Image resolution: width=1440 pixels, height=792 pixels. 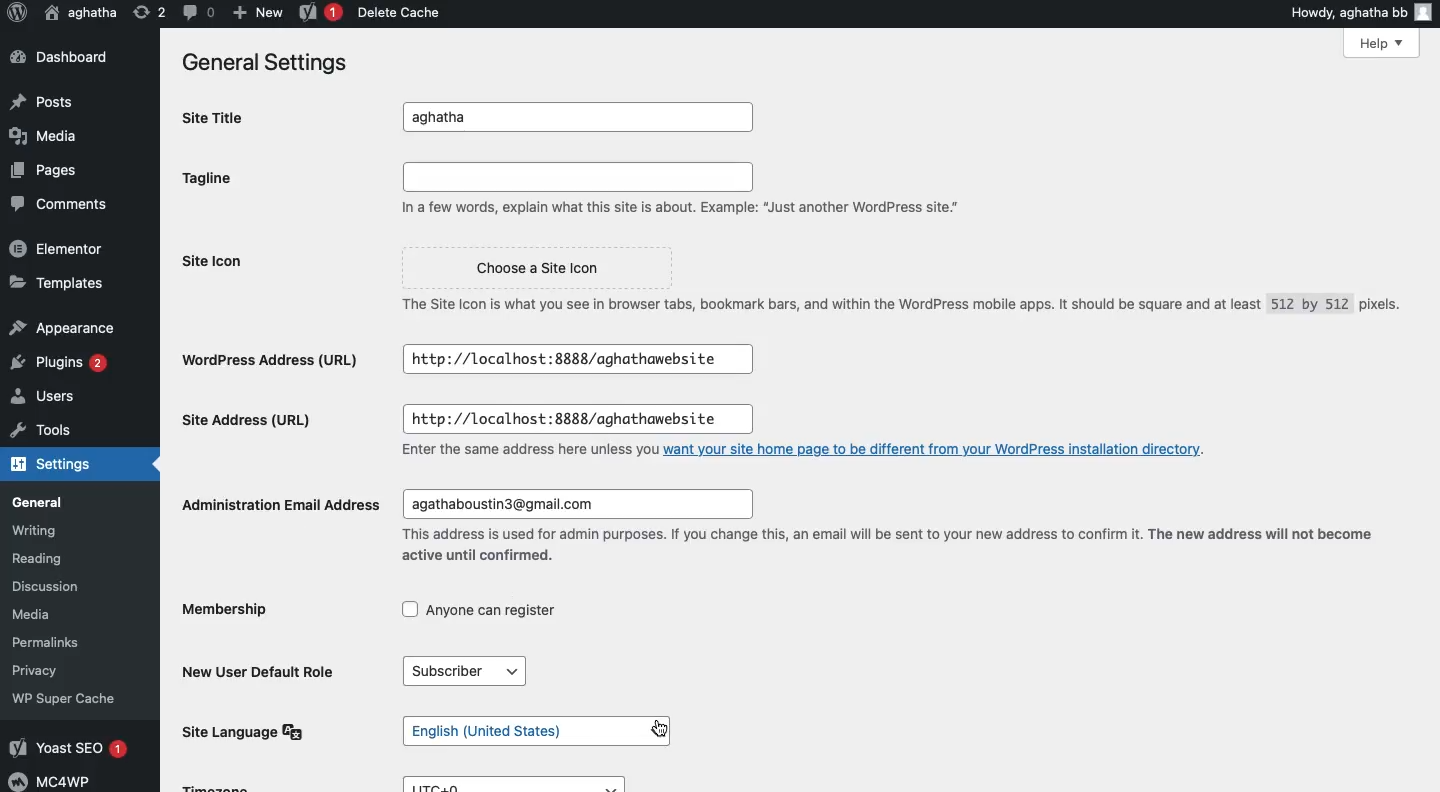 What do you see at coordinates (807, 448) in the screenshot?
I see `Enter the same address here unless you want your site home page to be different from your WordPress installation directory.` at bounding box center [807, 448].